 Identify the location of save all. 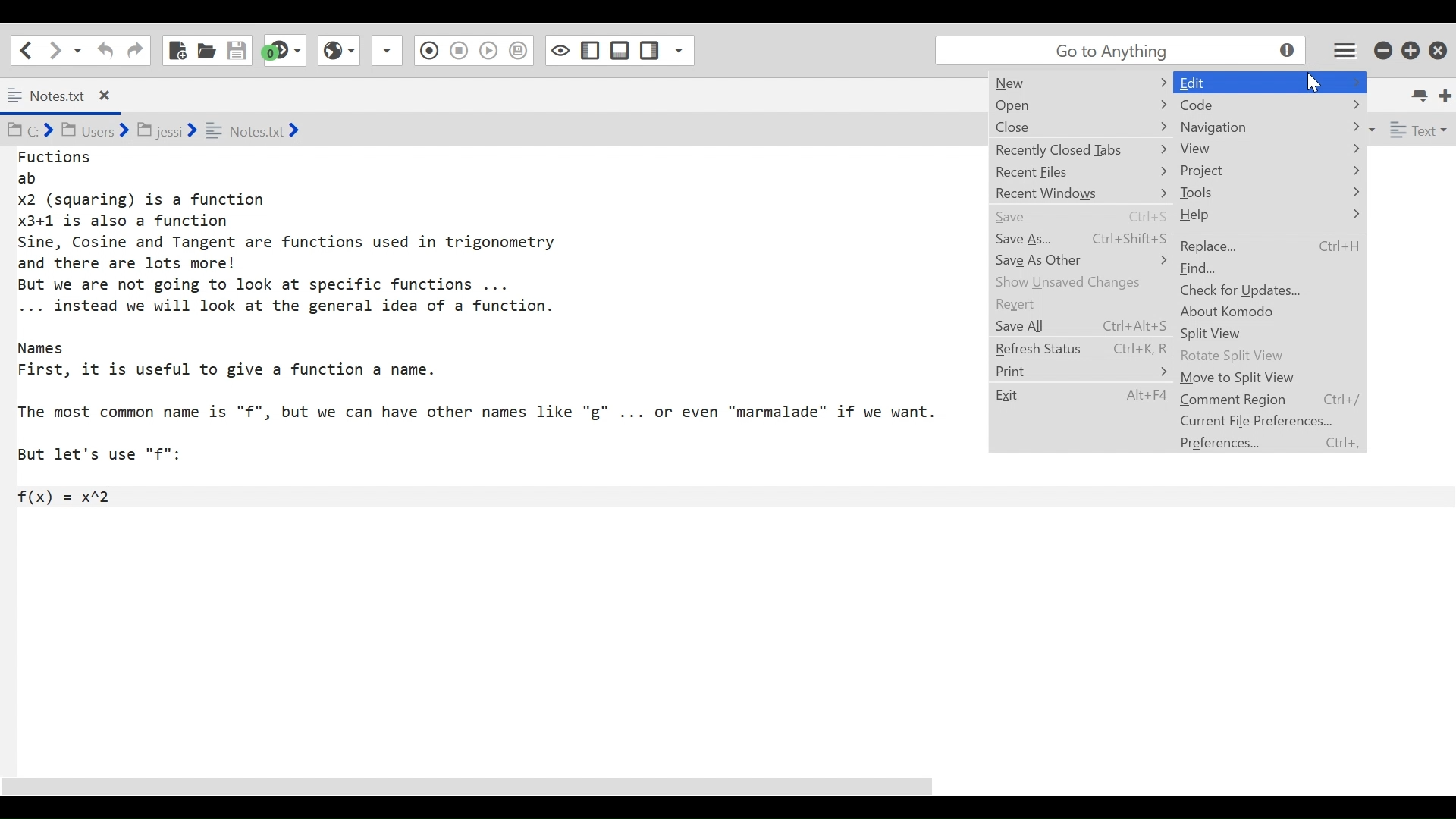
(1045, 326).